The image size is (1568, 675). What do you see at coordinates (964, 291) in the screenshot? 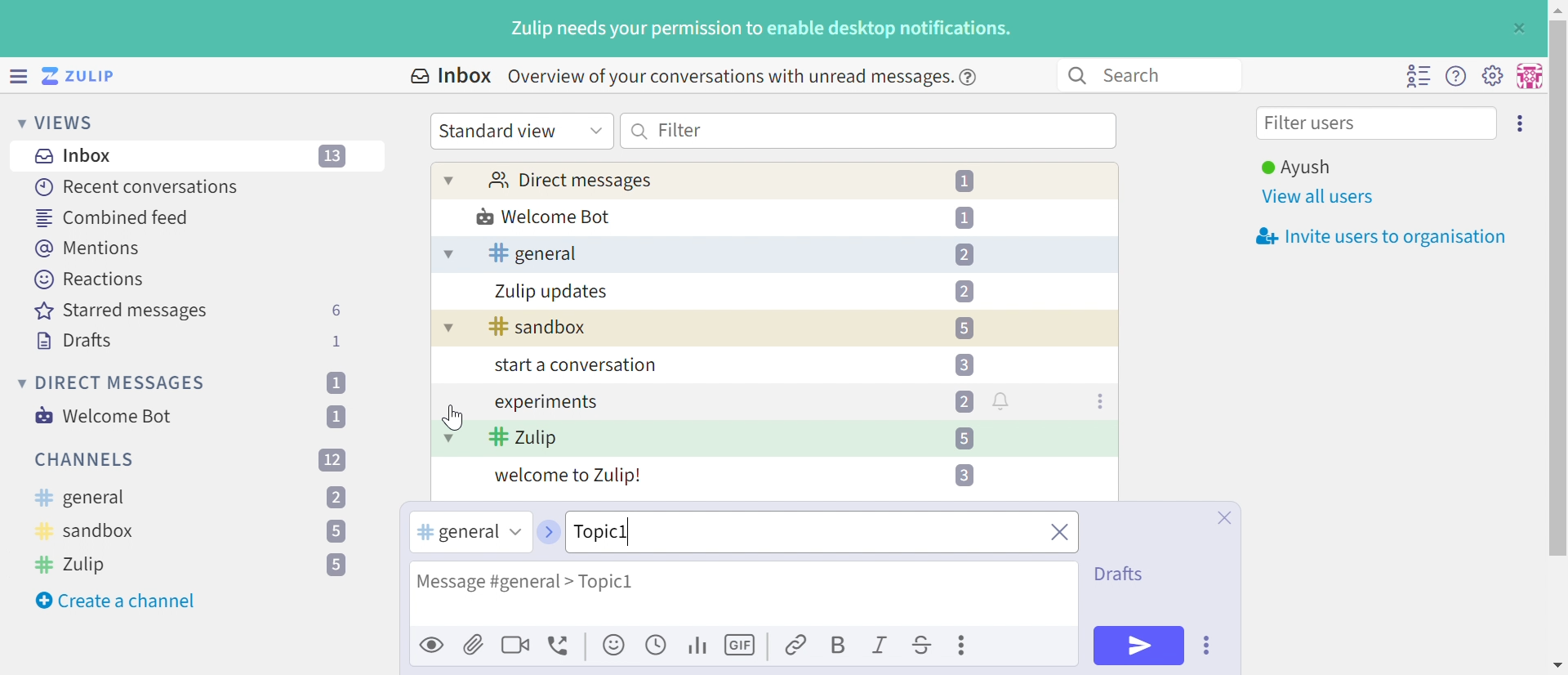
I see `2` at bounding box center [964, 291].